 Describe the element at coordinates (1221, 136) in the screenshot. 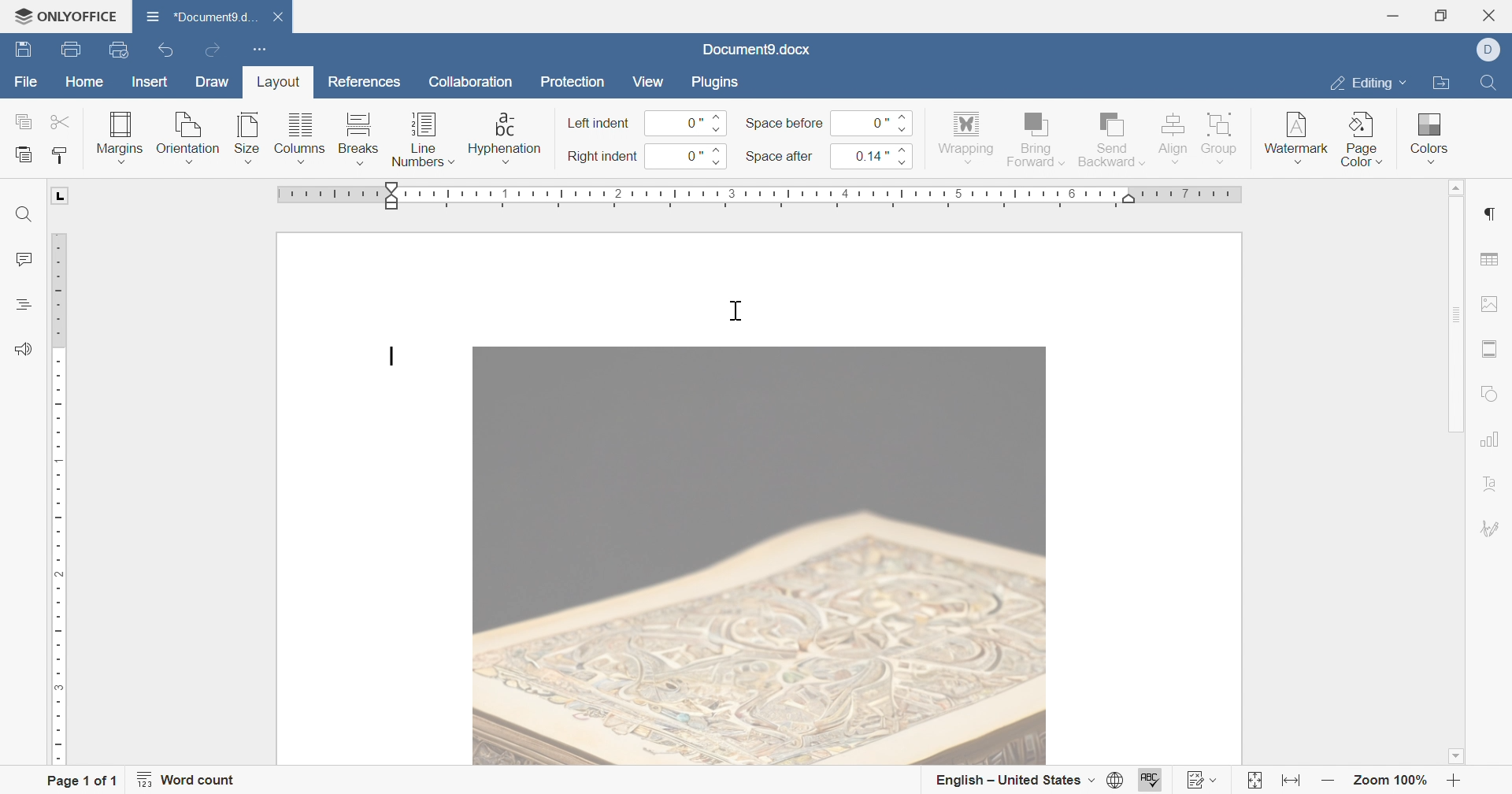

I see `group` at that location.